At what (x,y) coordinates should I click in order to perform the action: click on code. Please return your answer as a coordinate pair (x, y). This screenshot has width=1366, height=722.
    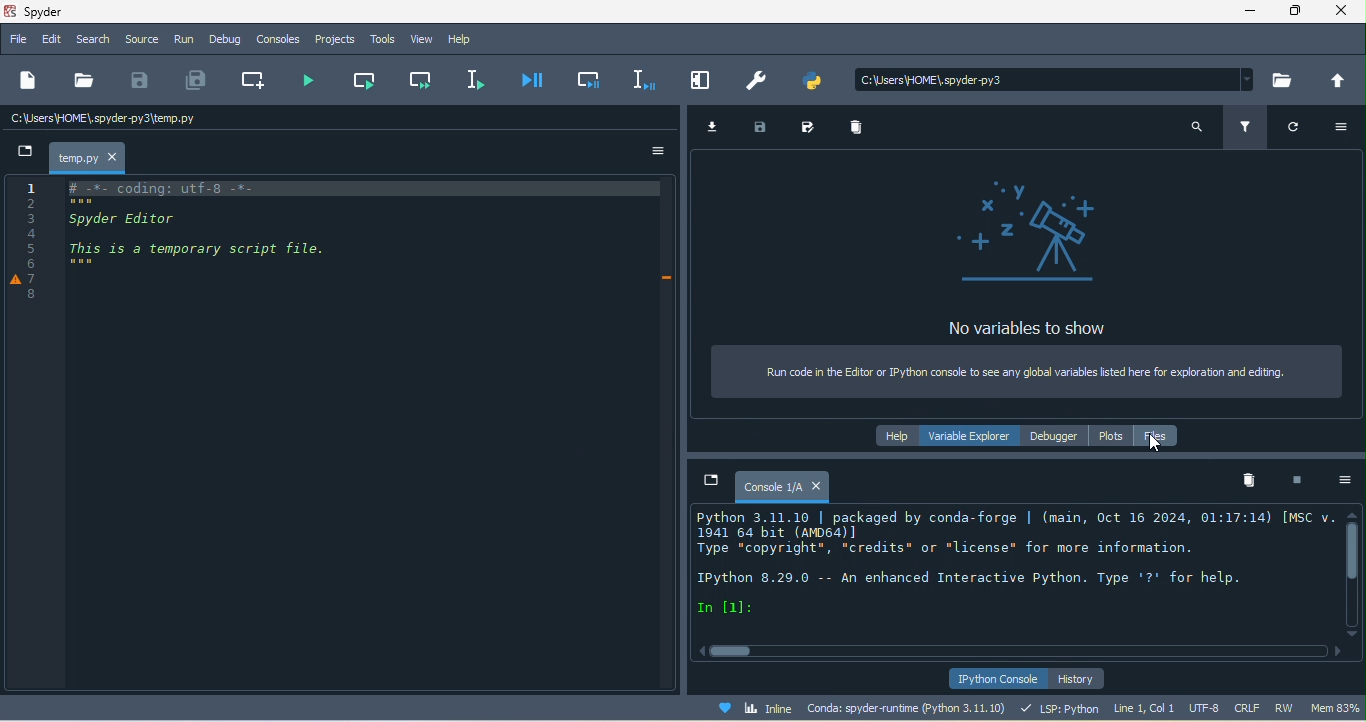
    Looking at the image, I should click on (216, 269).